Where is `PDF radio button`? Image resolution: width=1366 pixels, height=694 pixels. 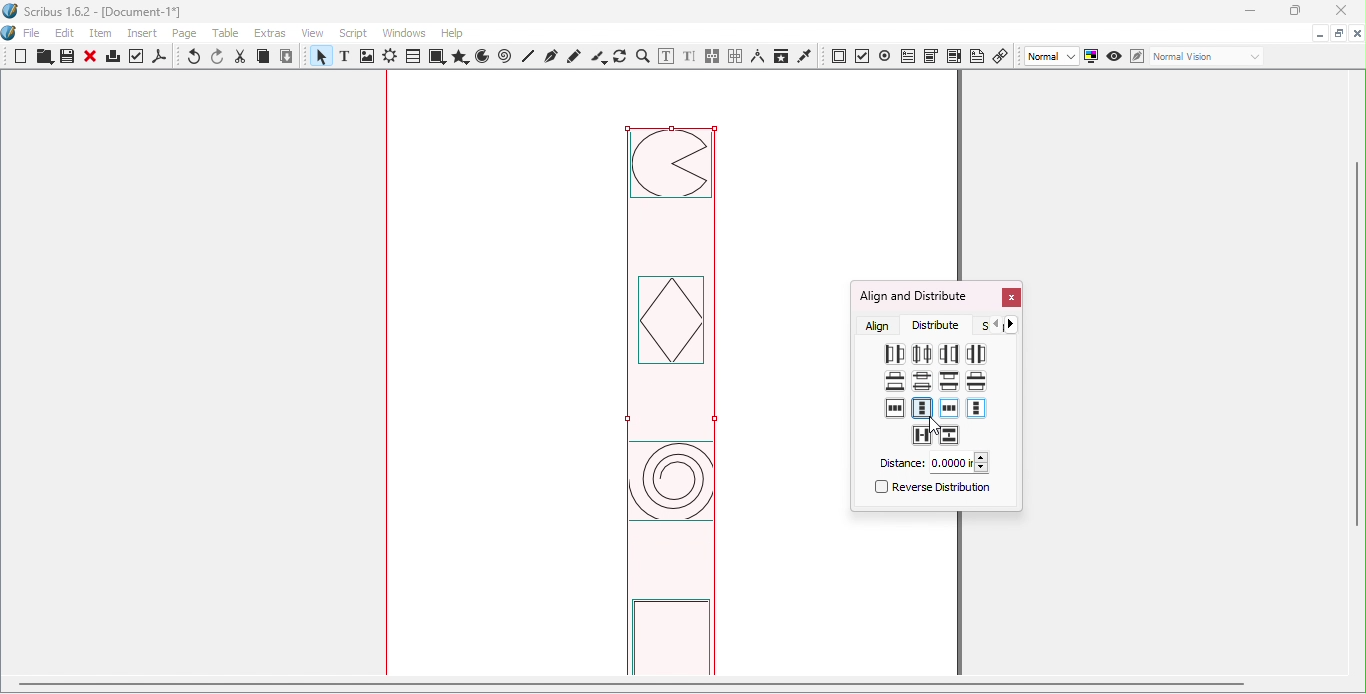 PDF radio button is located at coordinates (885, 55).